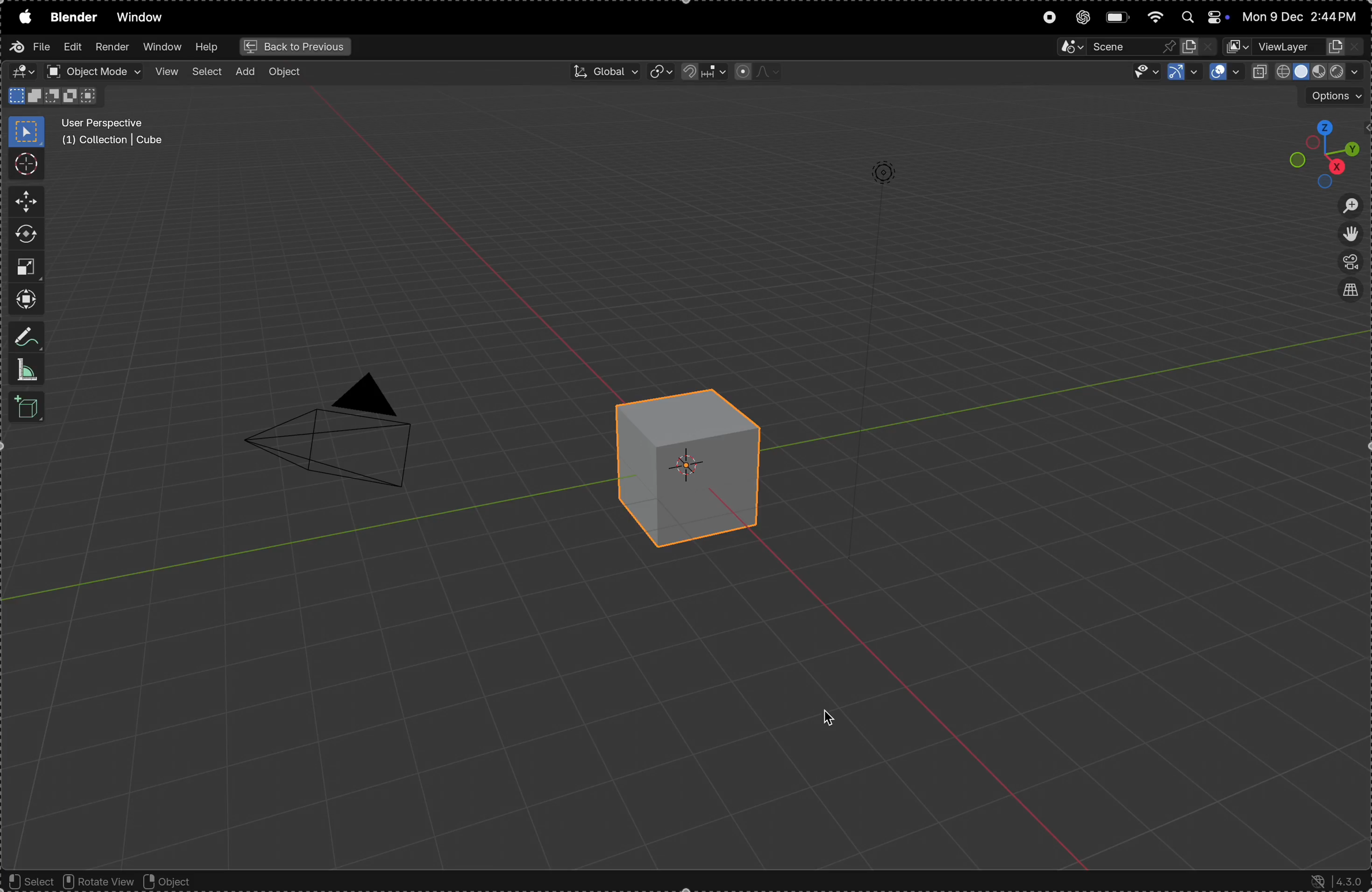  What do you see at coordinates (140, 17) in the screenshot?
I see `window` at bounding box center [140, 17].